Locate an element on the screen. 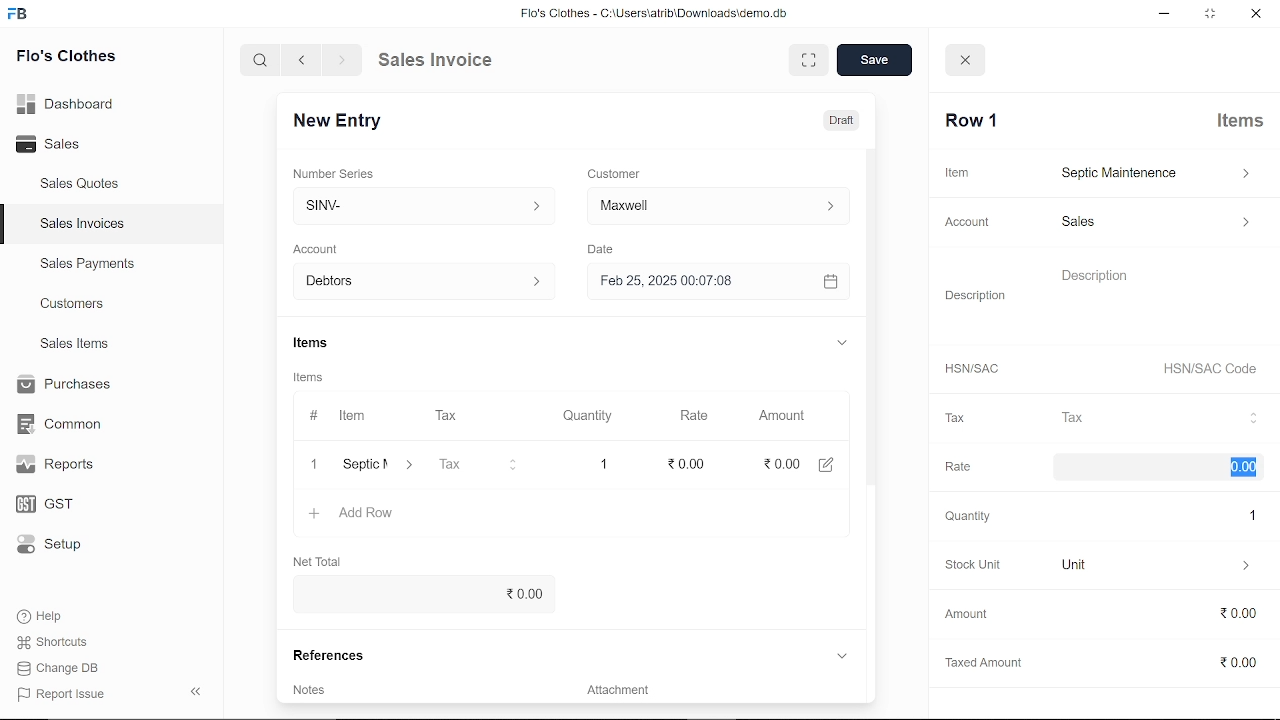 The image size is (1280, 720). Items is located at coordinates (315, 343).